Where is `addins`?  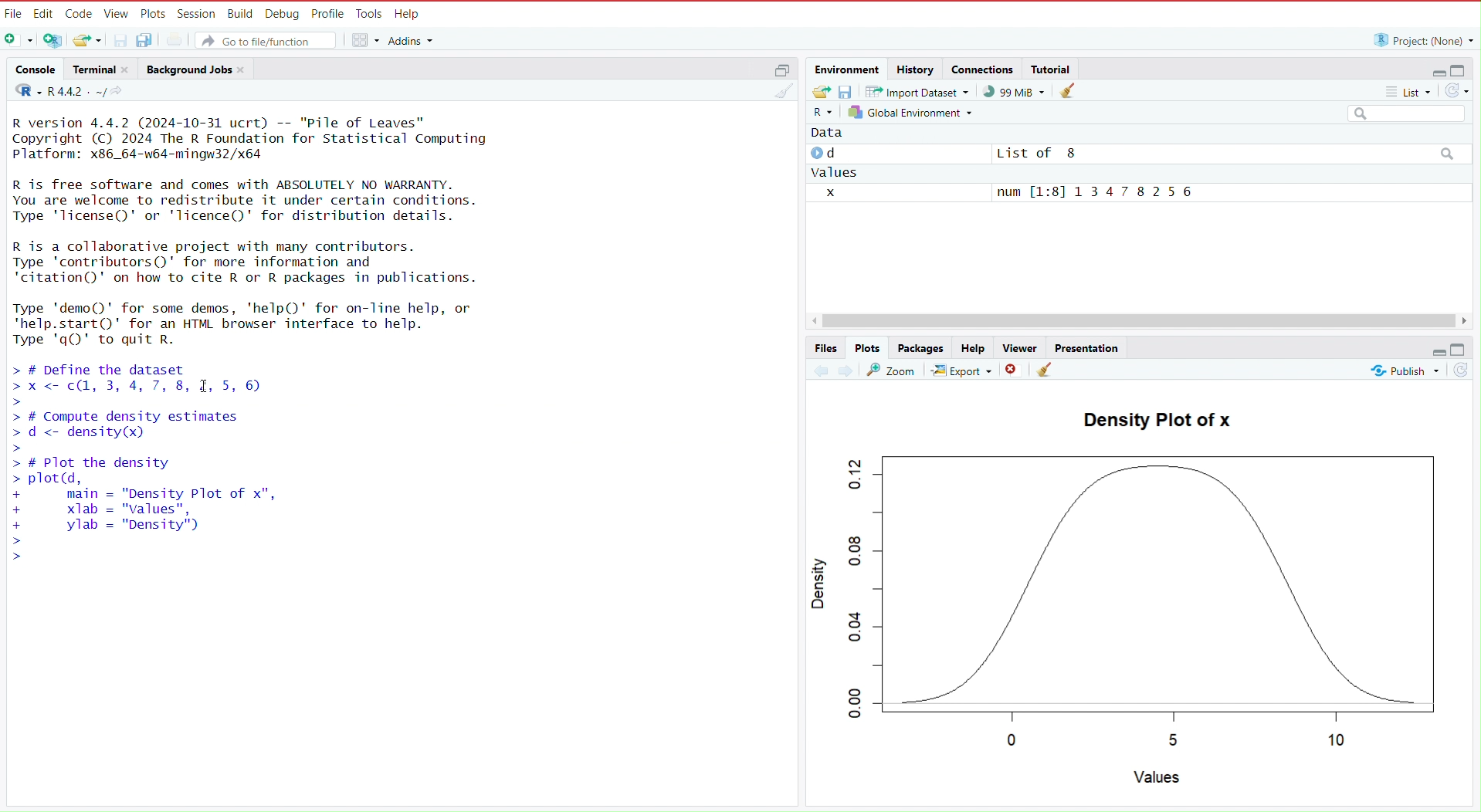
addins is located at coordinates (414, 40).